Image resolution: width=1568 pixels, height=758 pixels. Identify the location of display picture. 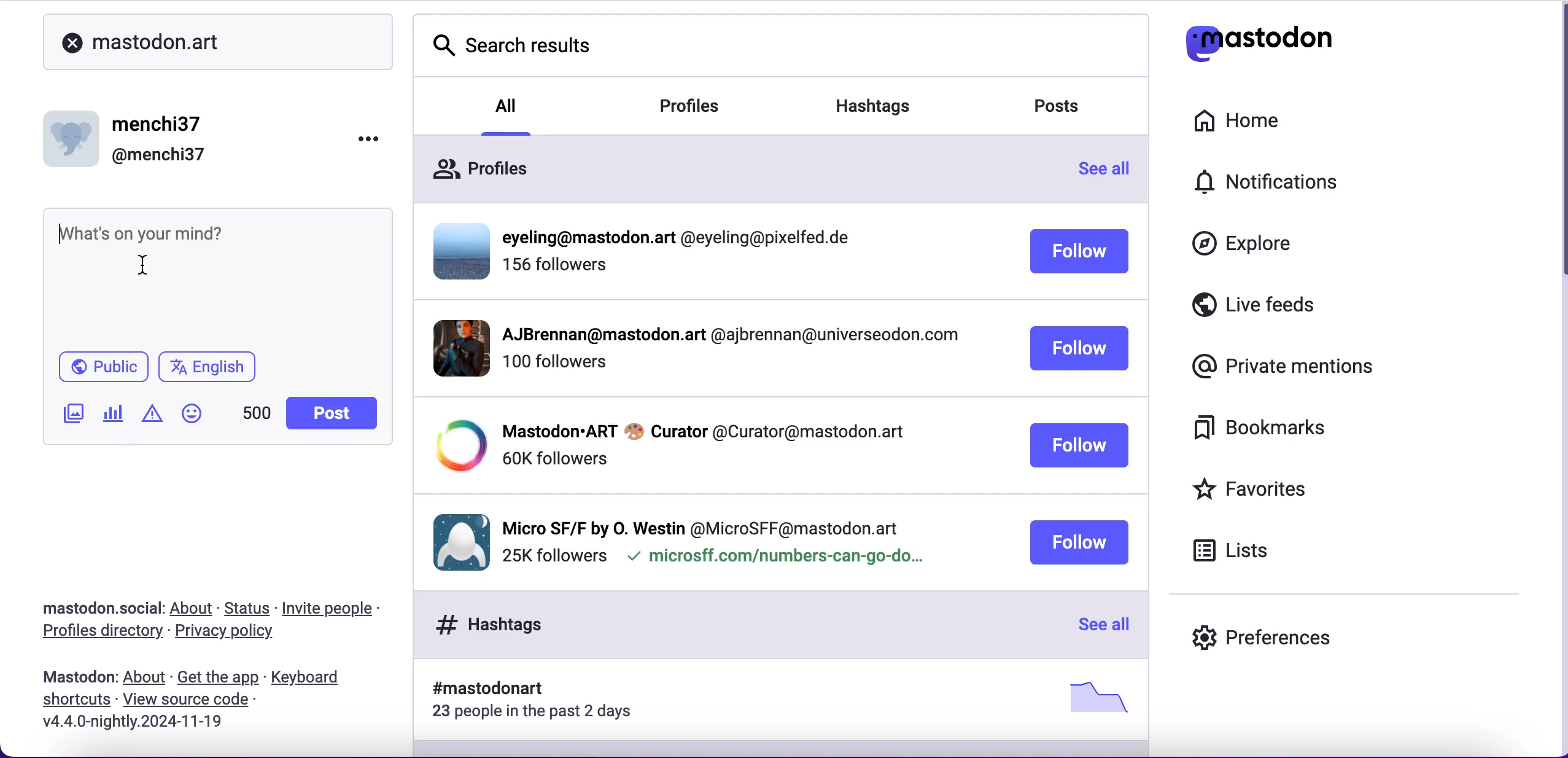
(456, 446).